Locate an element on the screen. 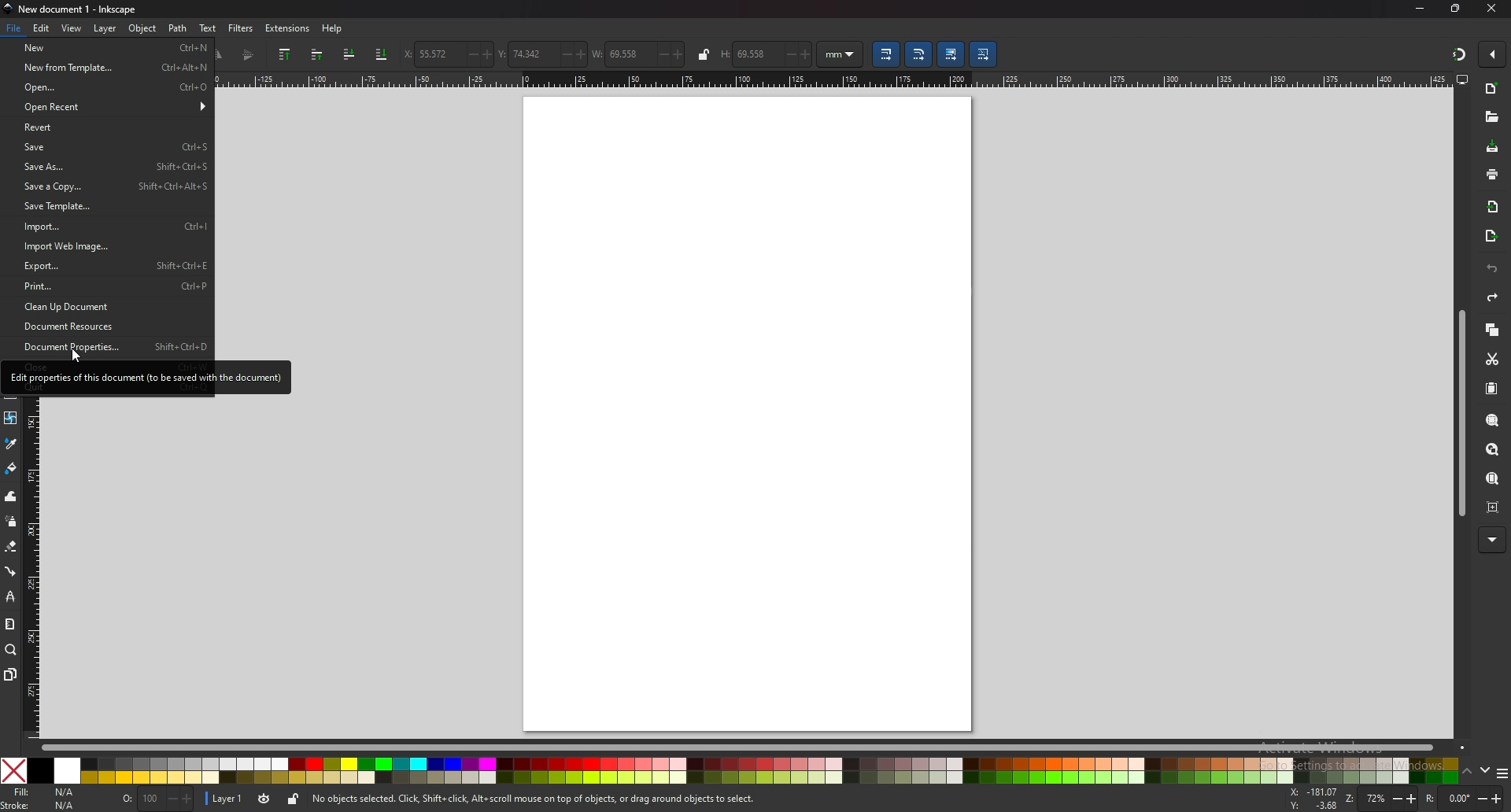 The height and width of the screenshot is (812, 1511). Path is located at coordinates (176, 28).